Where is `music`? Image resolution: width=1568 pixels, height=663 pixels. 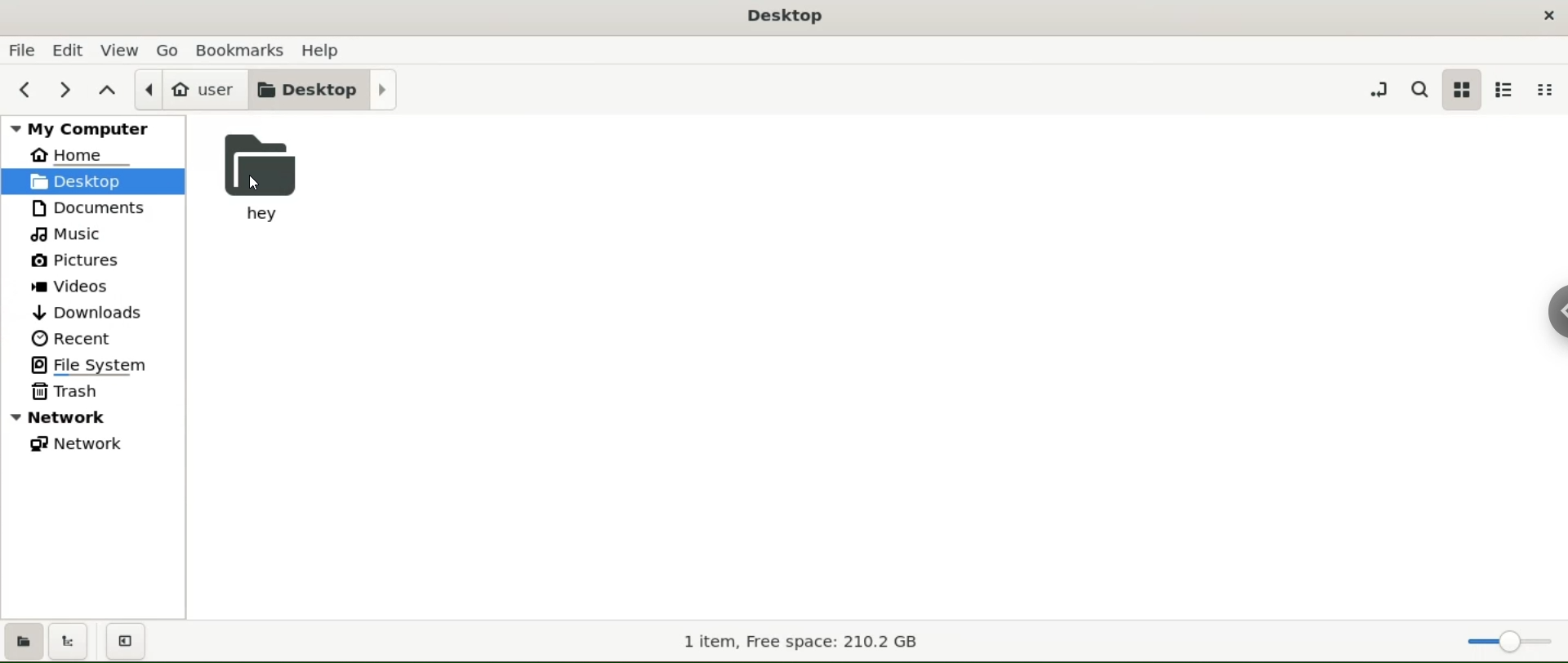 music is located at coordinates (91, 235).